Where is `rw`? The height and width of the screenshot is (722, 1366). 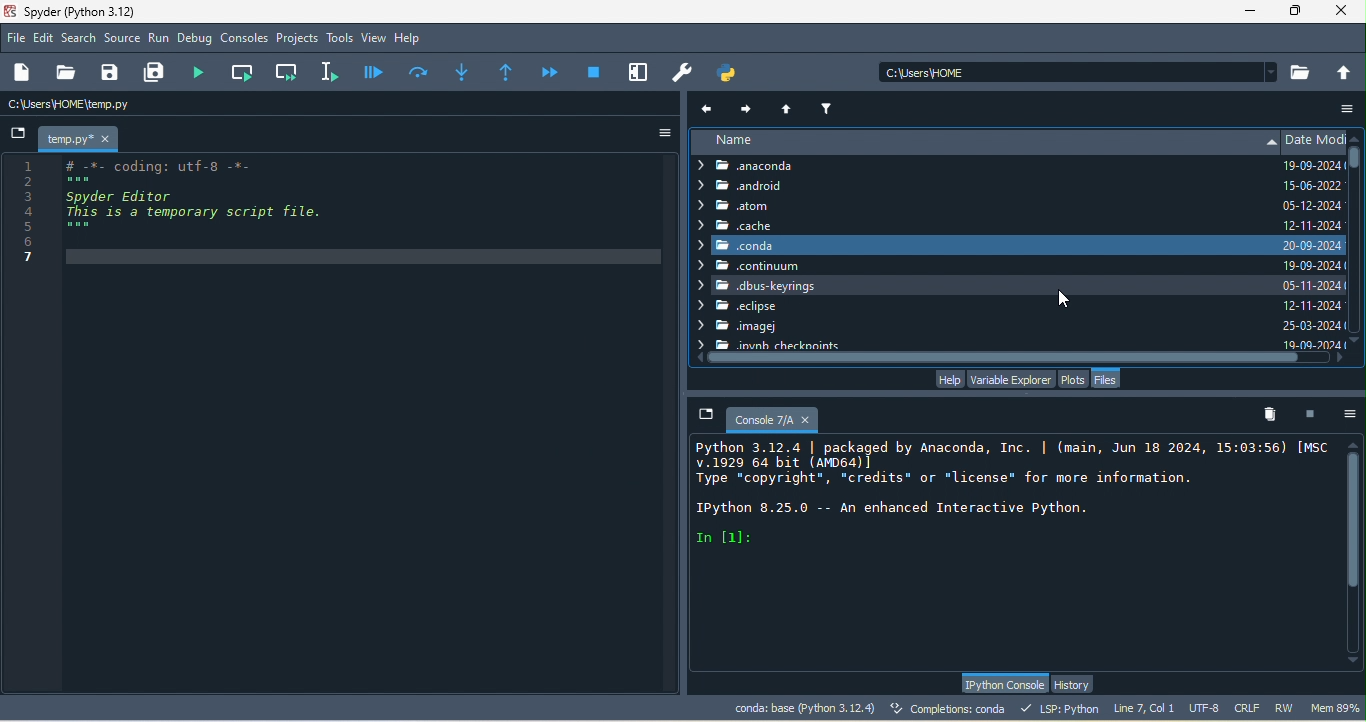 rw is located at coordinates (1286, 708).